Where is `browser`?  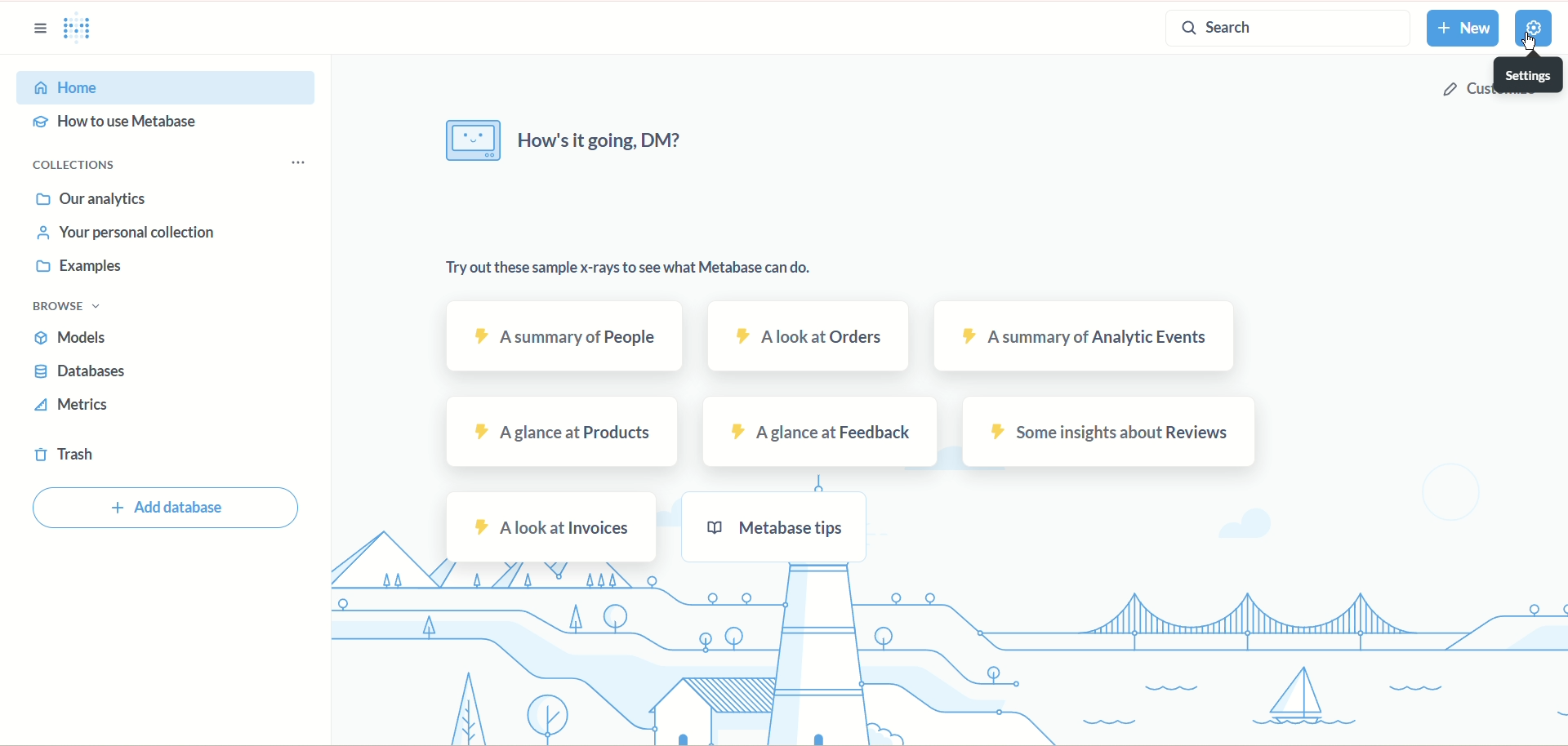
browser is located at coordinates (75, 308).